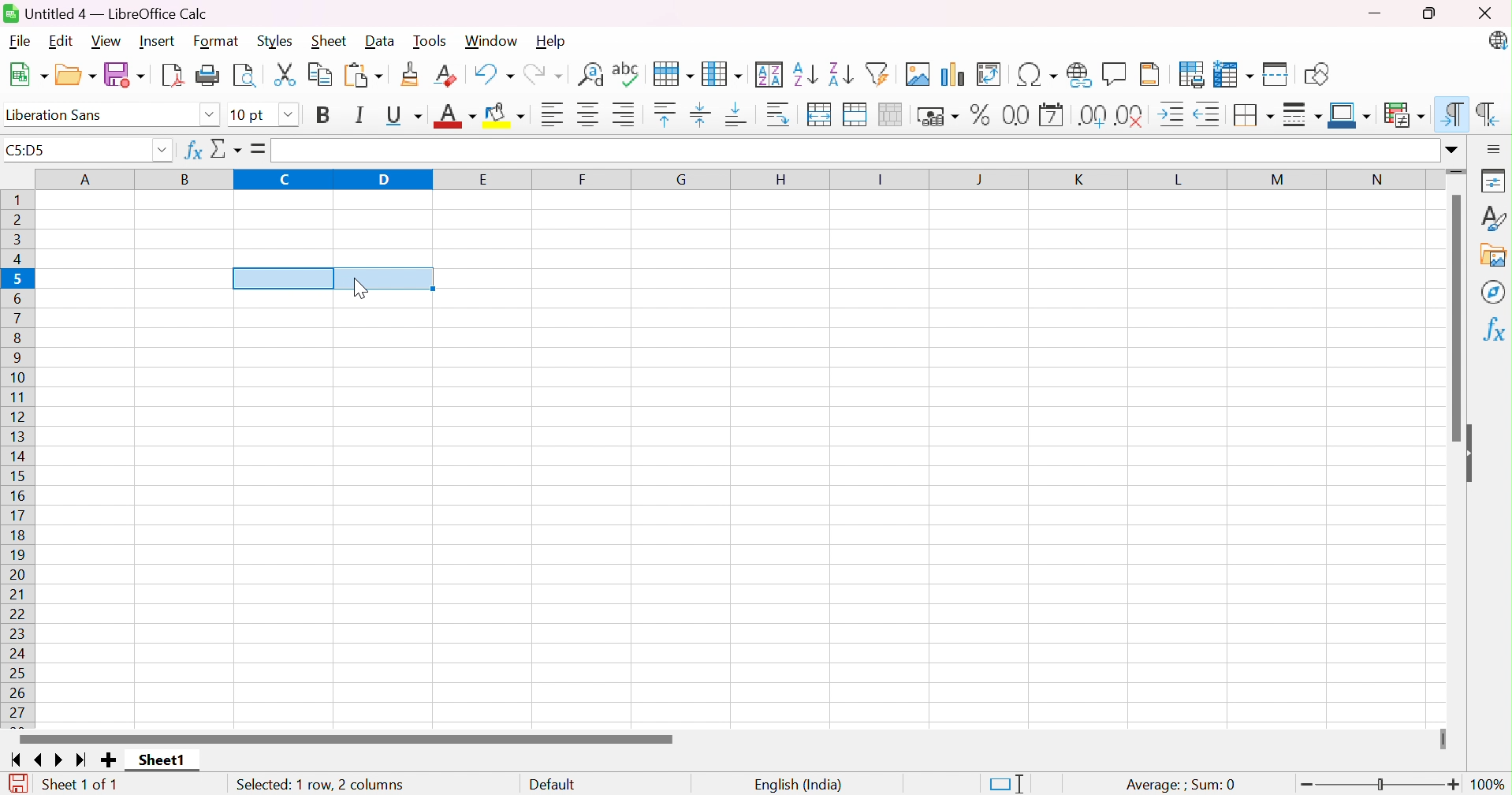  What do you see at coordinates (20, 455) in the screenshot?
I see `Row Number` at bounding box center [20, 455].